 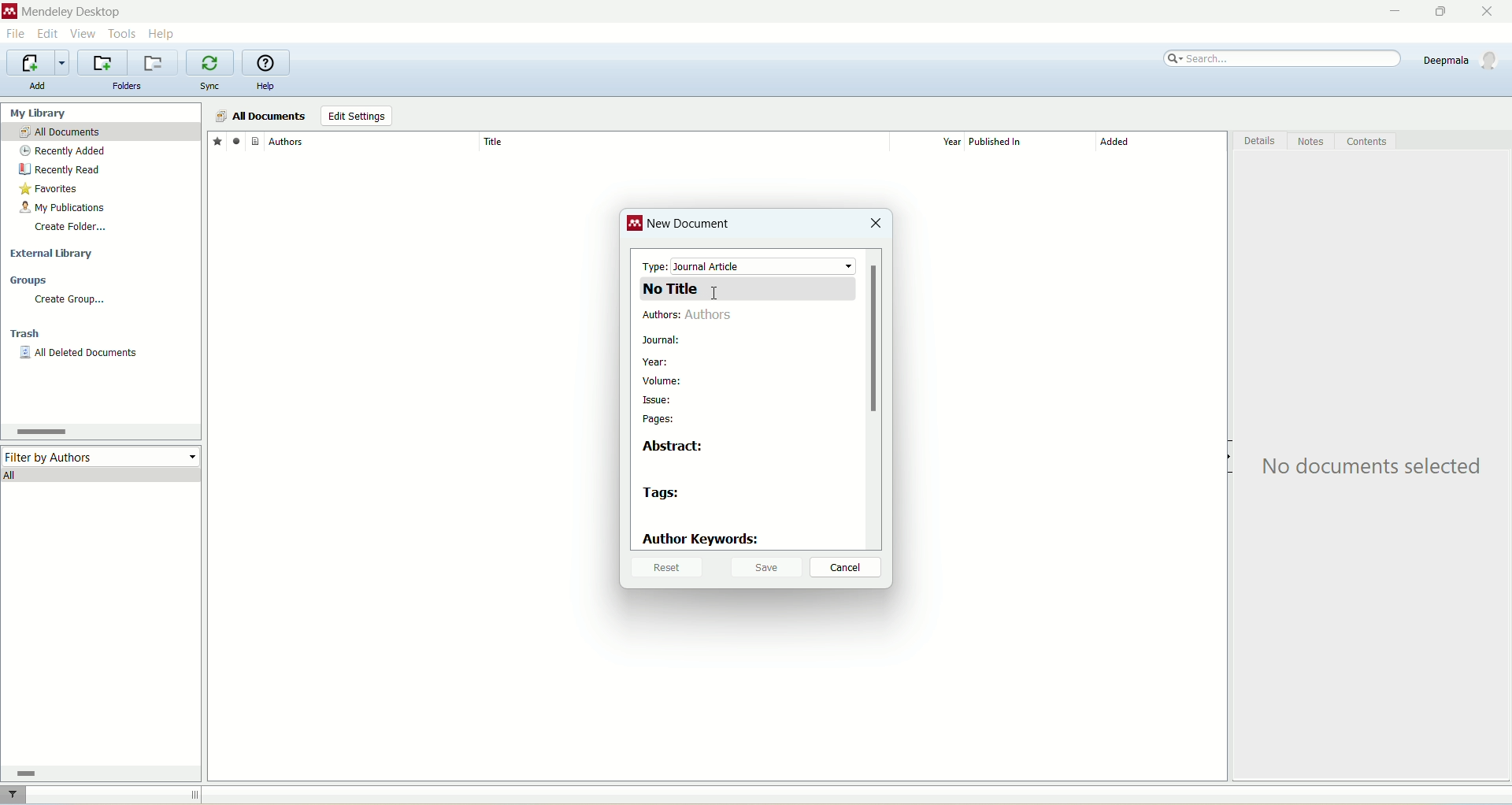 What do you see at coordinates (1162, 146) in the screenshot?
I see `added` at bounding box center [1162, 146].